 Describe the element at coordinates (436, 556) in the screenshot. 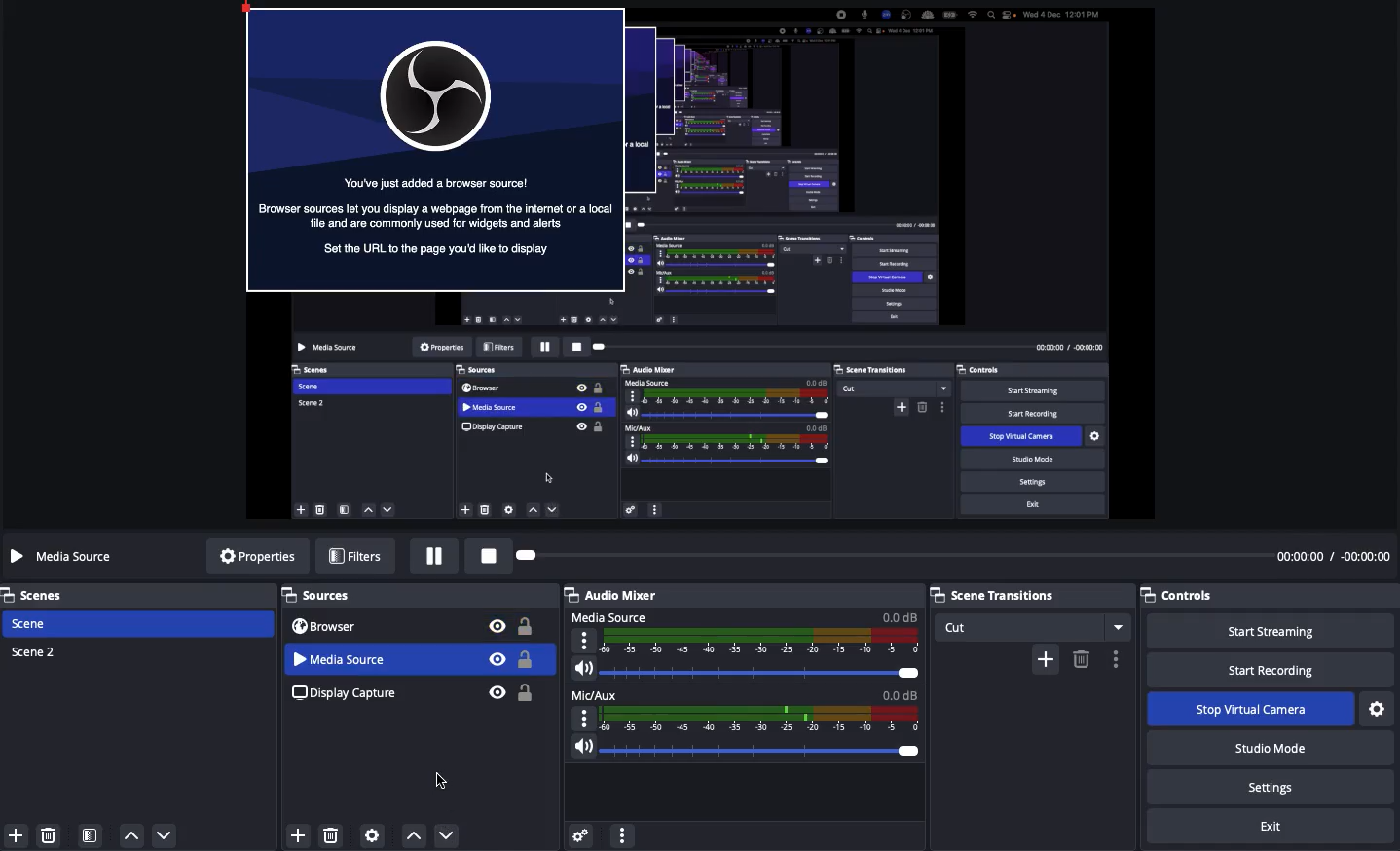

I see `Pause` at that location.